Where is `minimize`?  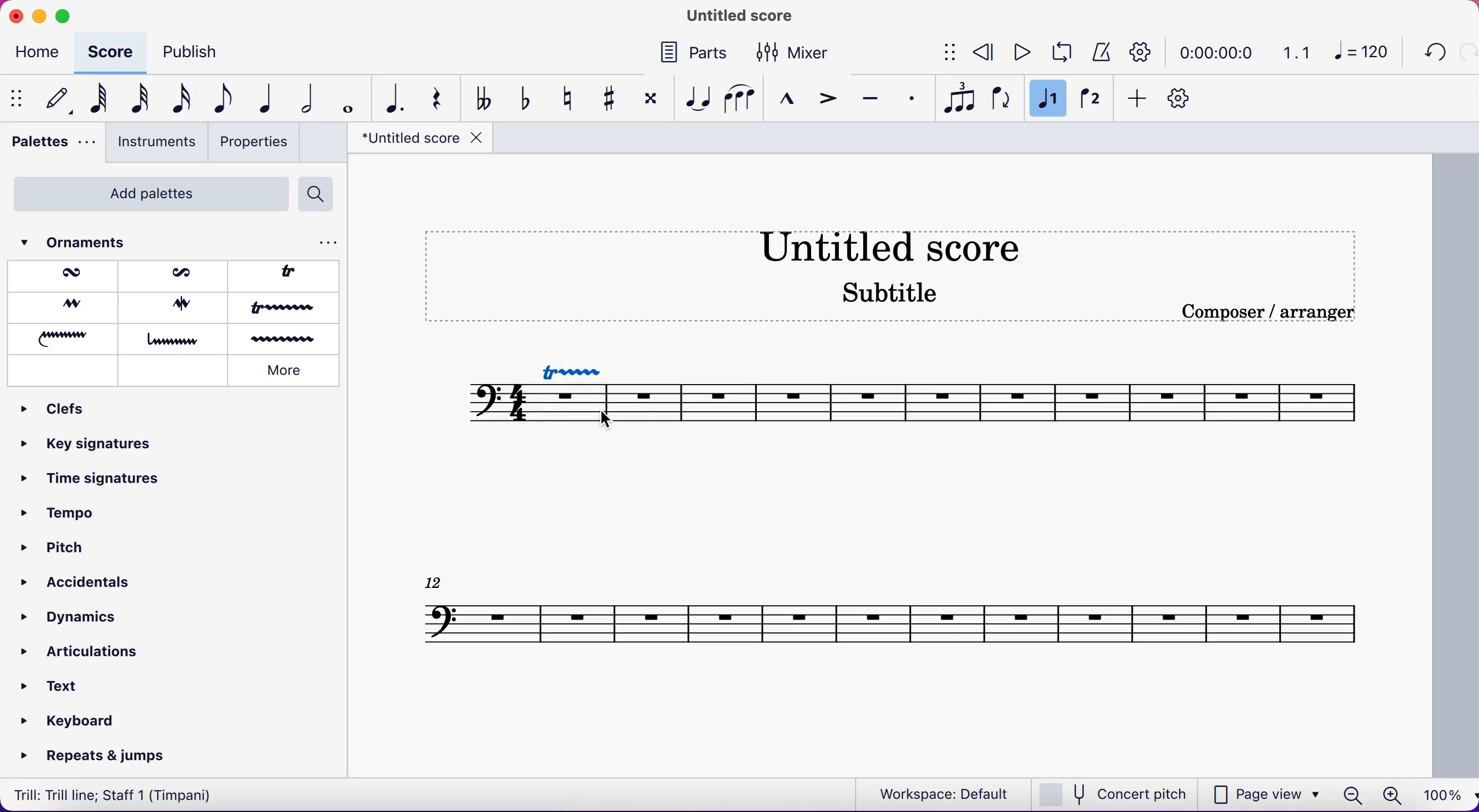 minimize is located at coordinates (39, 14).